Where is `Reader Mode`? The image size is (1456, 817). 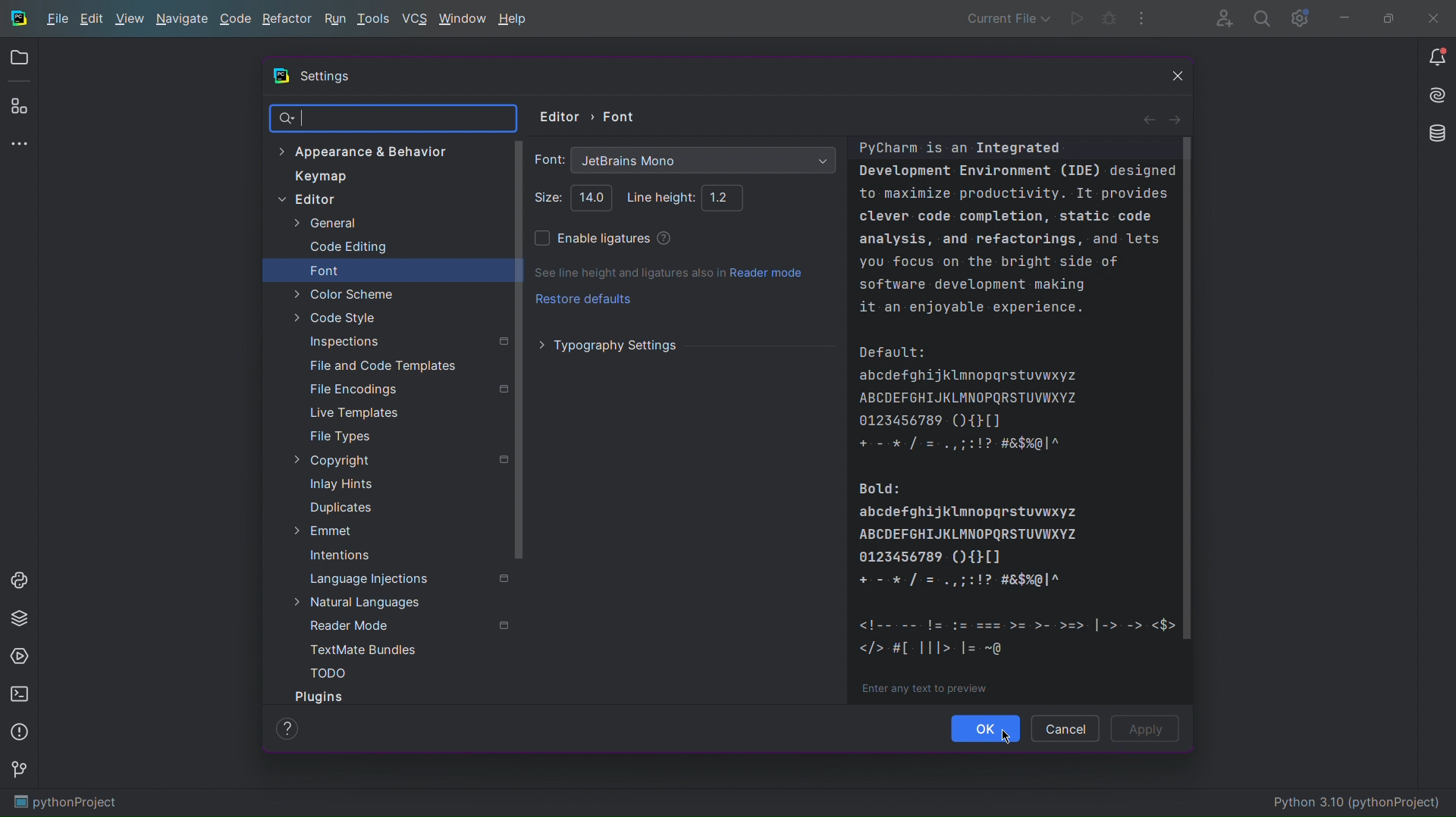 Reader Mode is located at coordinates (409, 625).